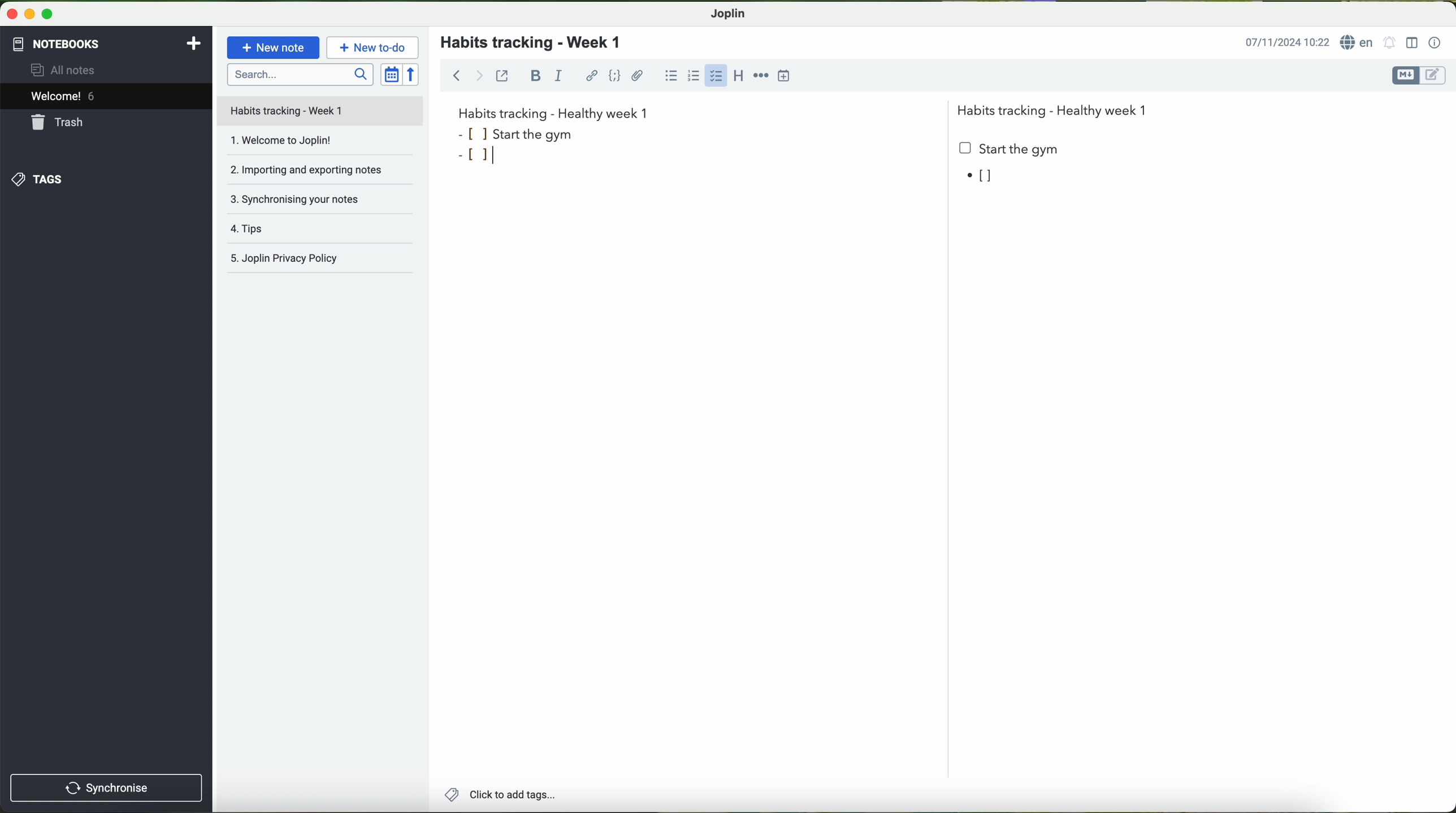 This screenshot has width=1456, height=813. What do you see at coordinates (453, 74) in the screenshot?
I see `back` at bounding box center [453, 74].